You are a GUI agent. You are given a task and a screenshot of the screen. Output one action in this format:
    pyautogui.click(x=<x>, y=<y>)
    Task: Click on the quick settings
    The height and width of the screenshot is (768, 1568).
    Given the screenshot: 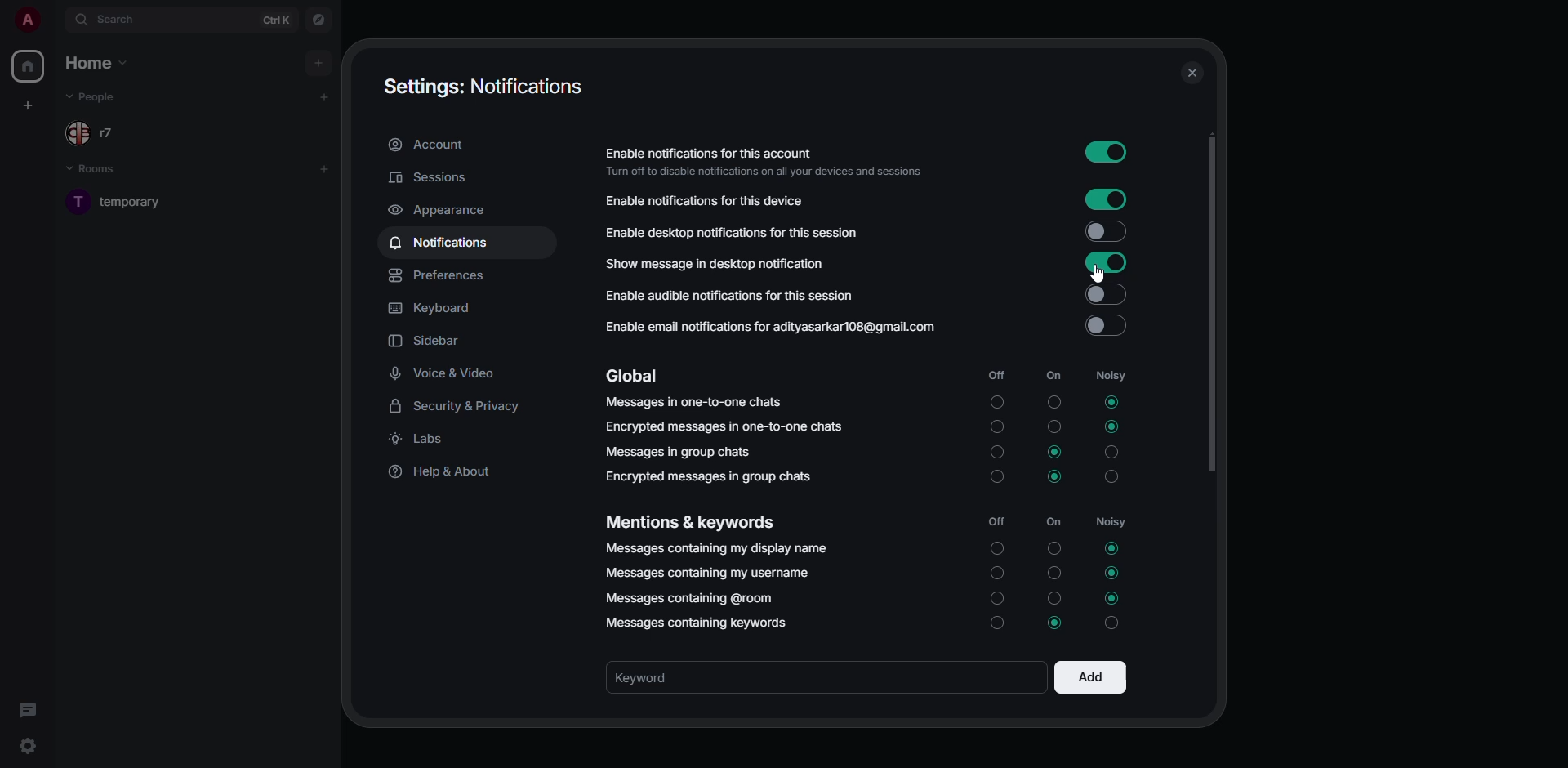 What is the action you would take?
    pyautogui.click(x=29, y=746)
    